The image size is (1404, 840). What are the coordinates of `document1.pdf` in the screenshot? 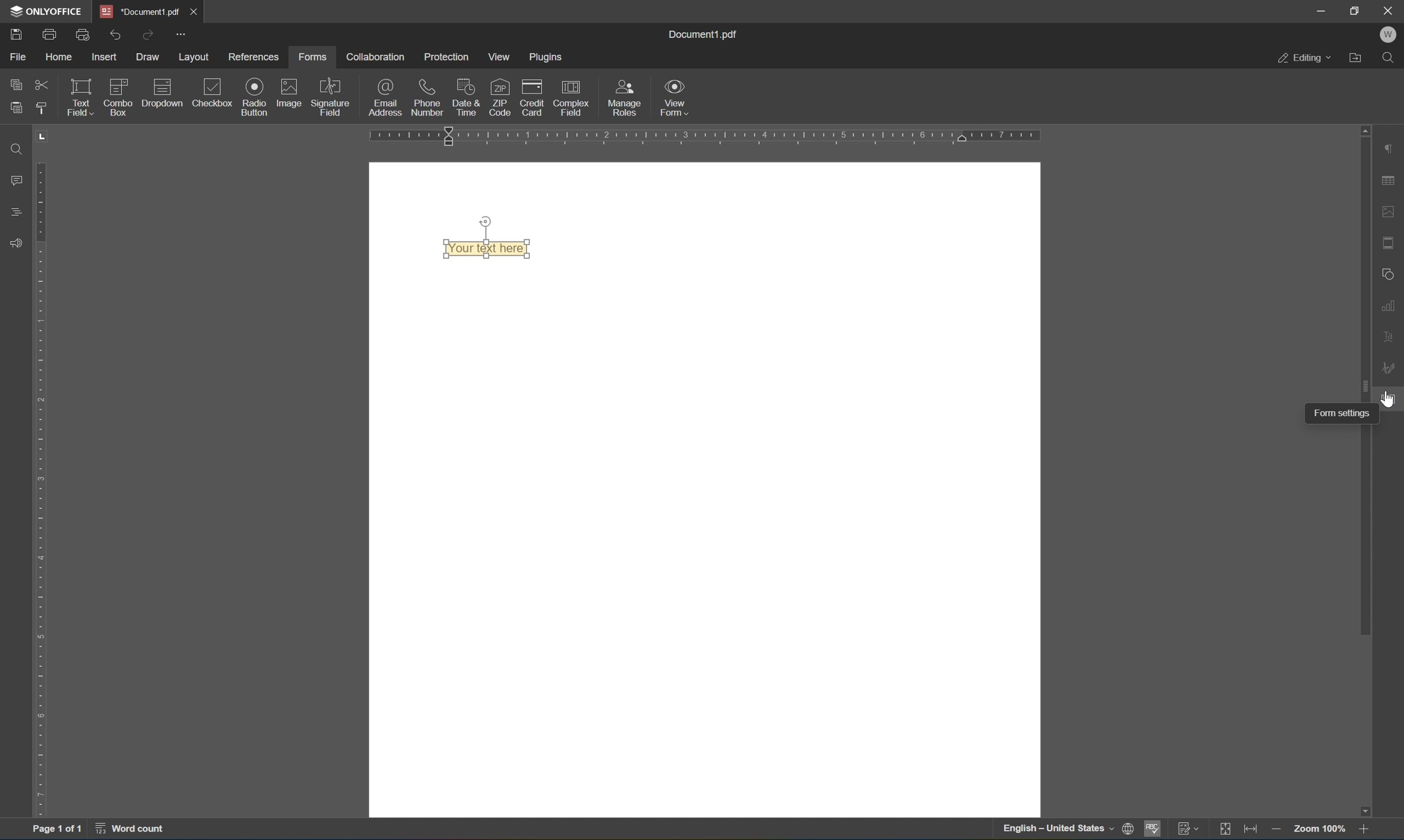 It's located at (701, 32).